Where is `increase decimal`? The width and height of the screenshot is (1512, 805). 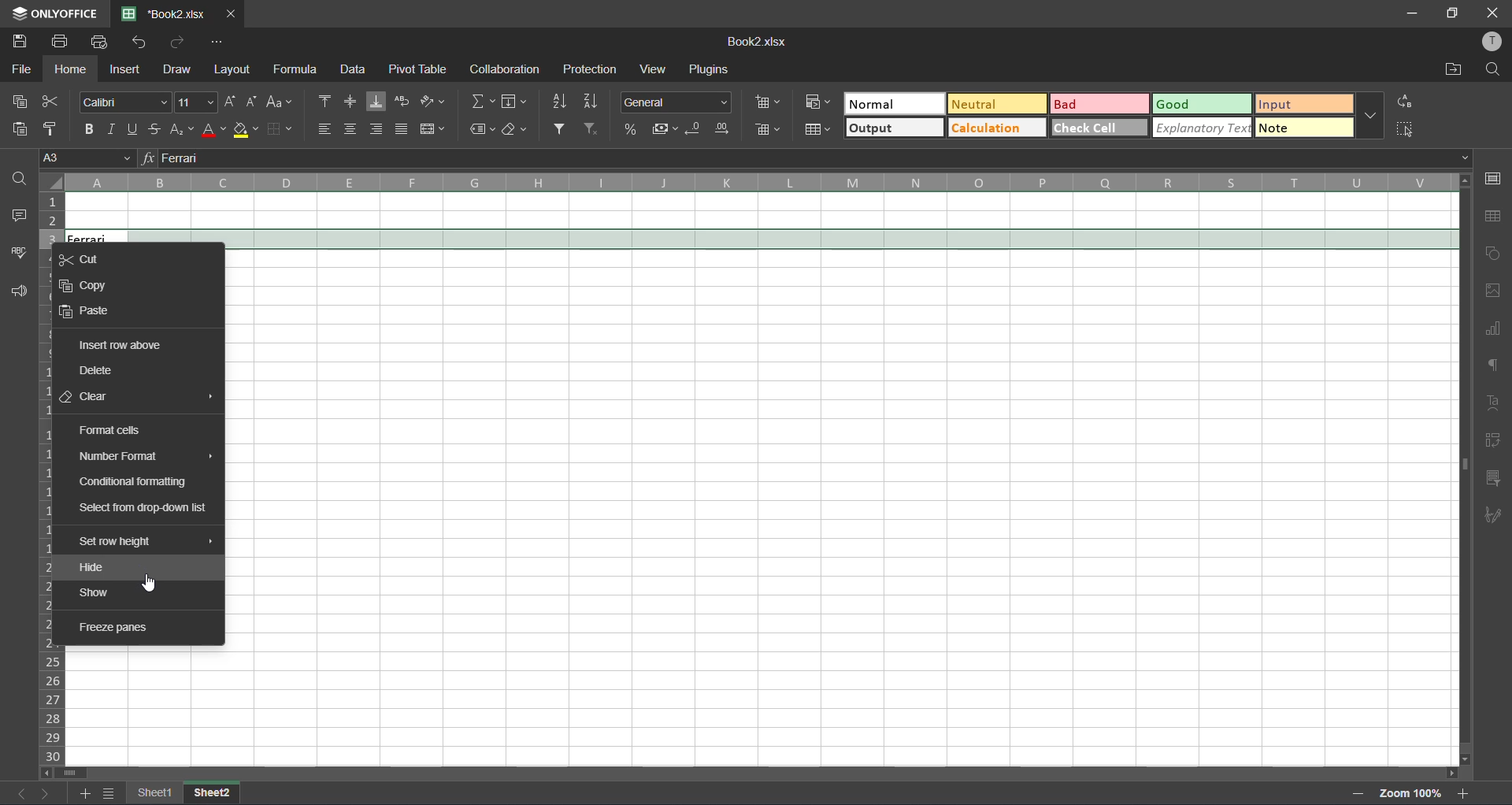 increase decimal is located at coordinates (721, 128).